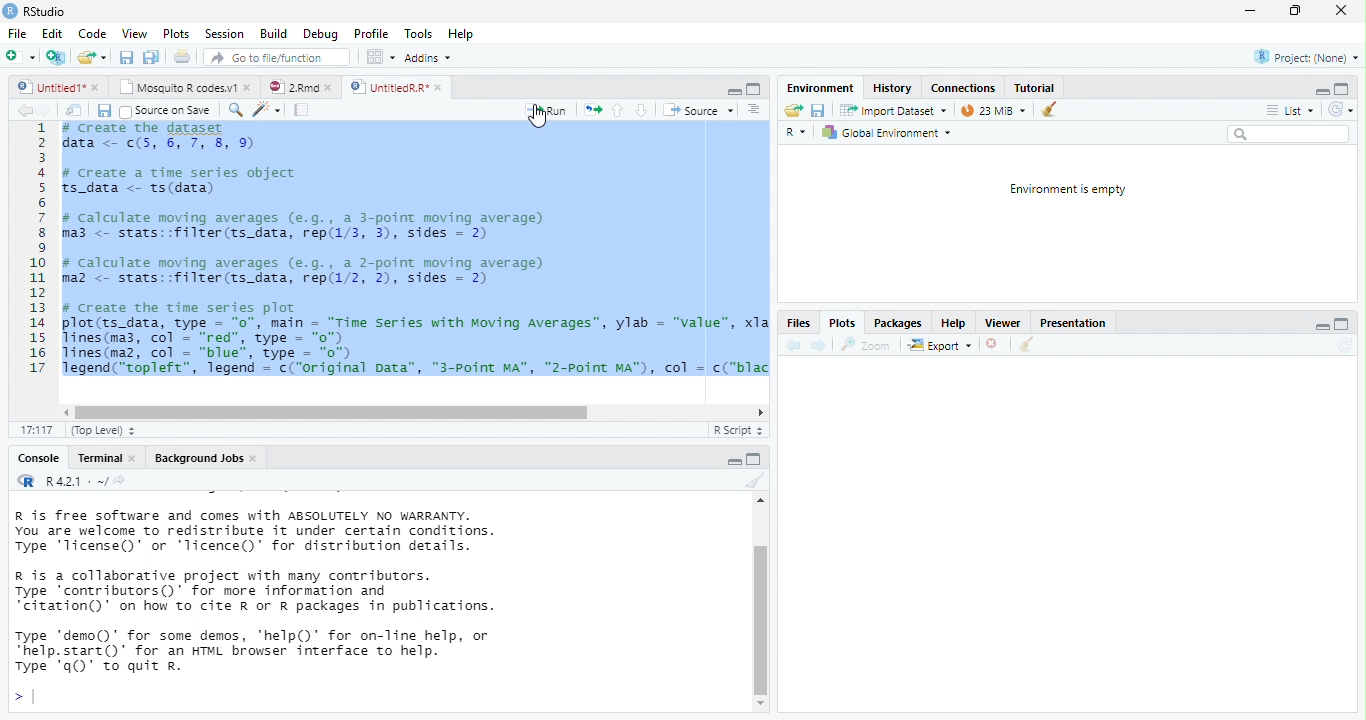  Describe the element at coordinates (387, 87) in the screenshot. I see `UntitiedR.R"` at that location.